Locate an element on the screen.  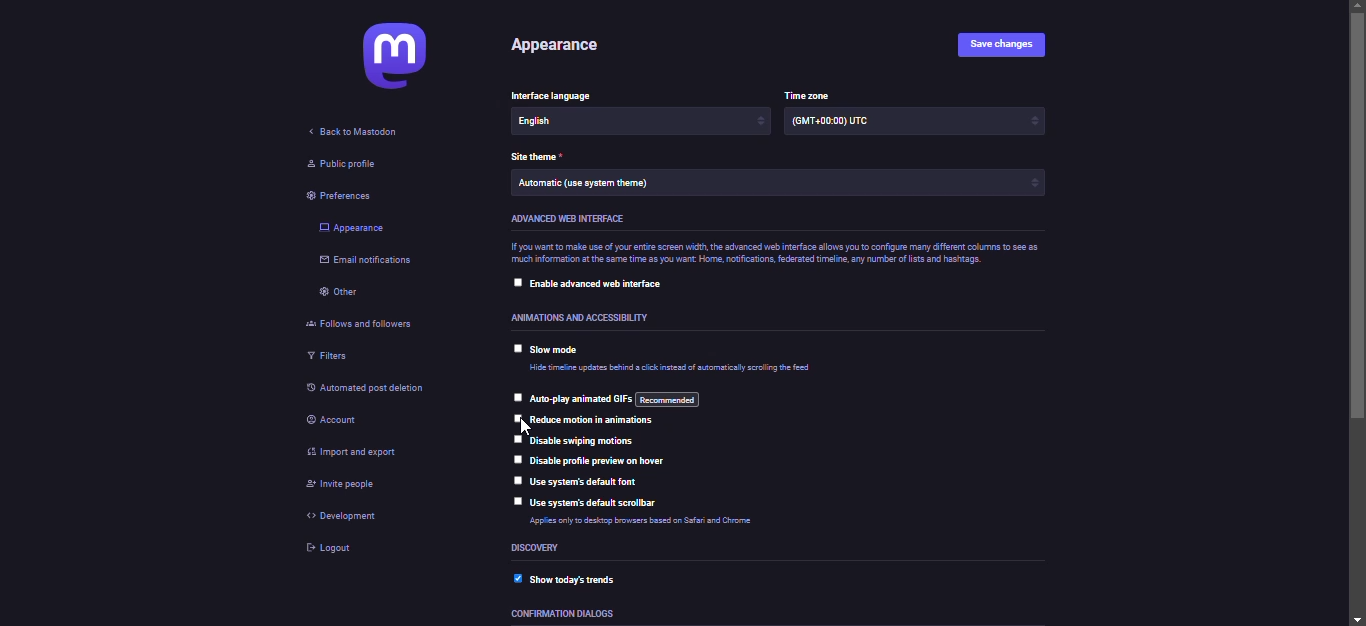
save changes is located at coordinates (1008, 45).